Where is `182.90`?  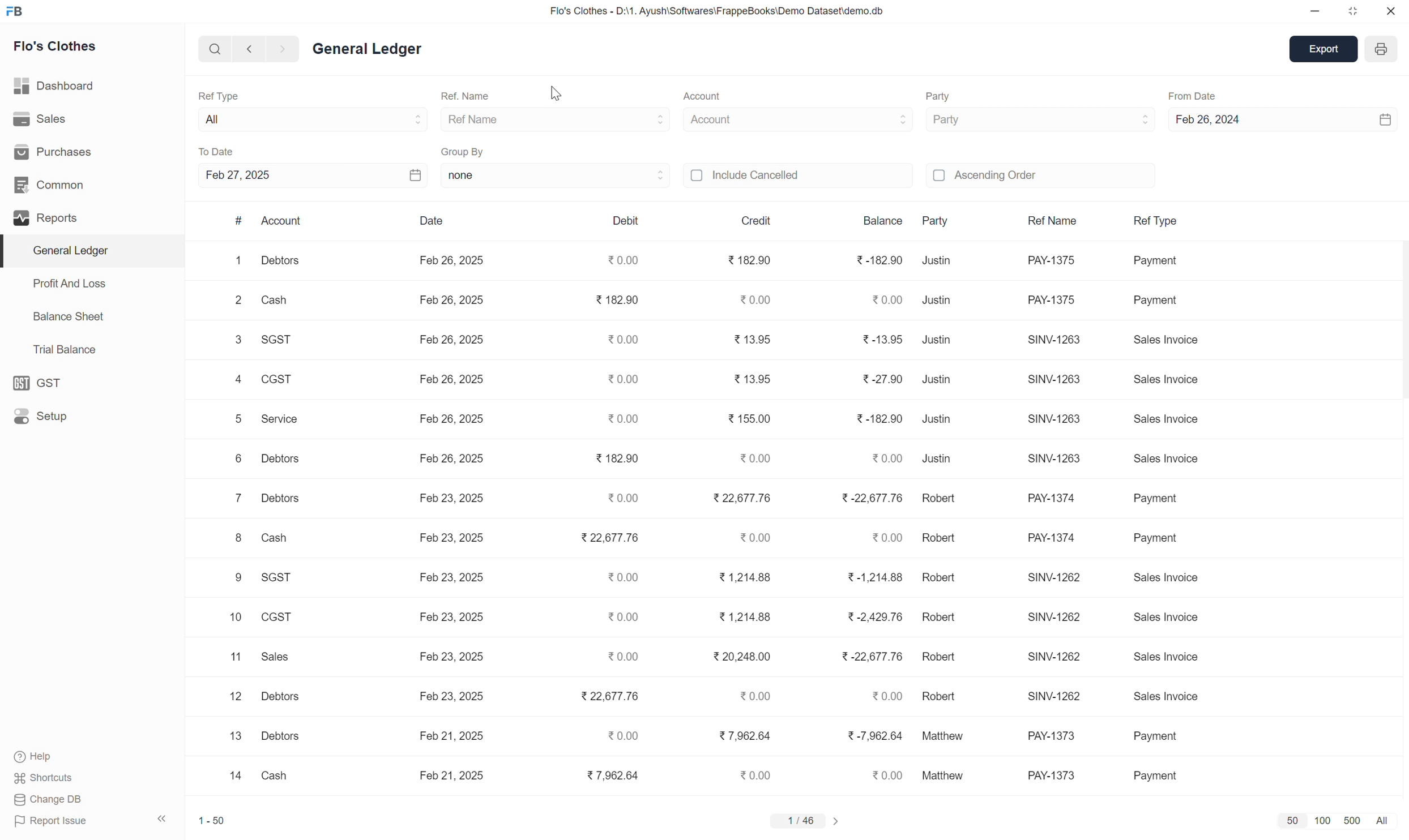 182.90 is located at coordinates (616, 459).